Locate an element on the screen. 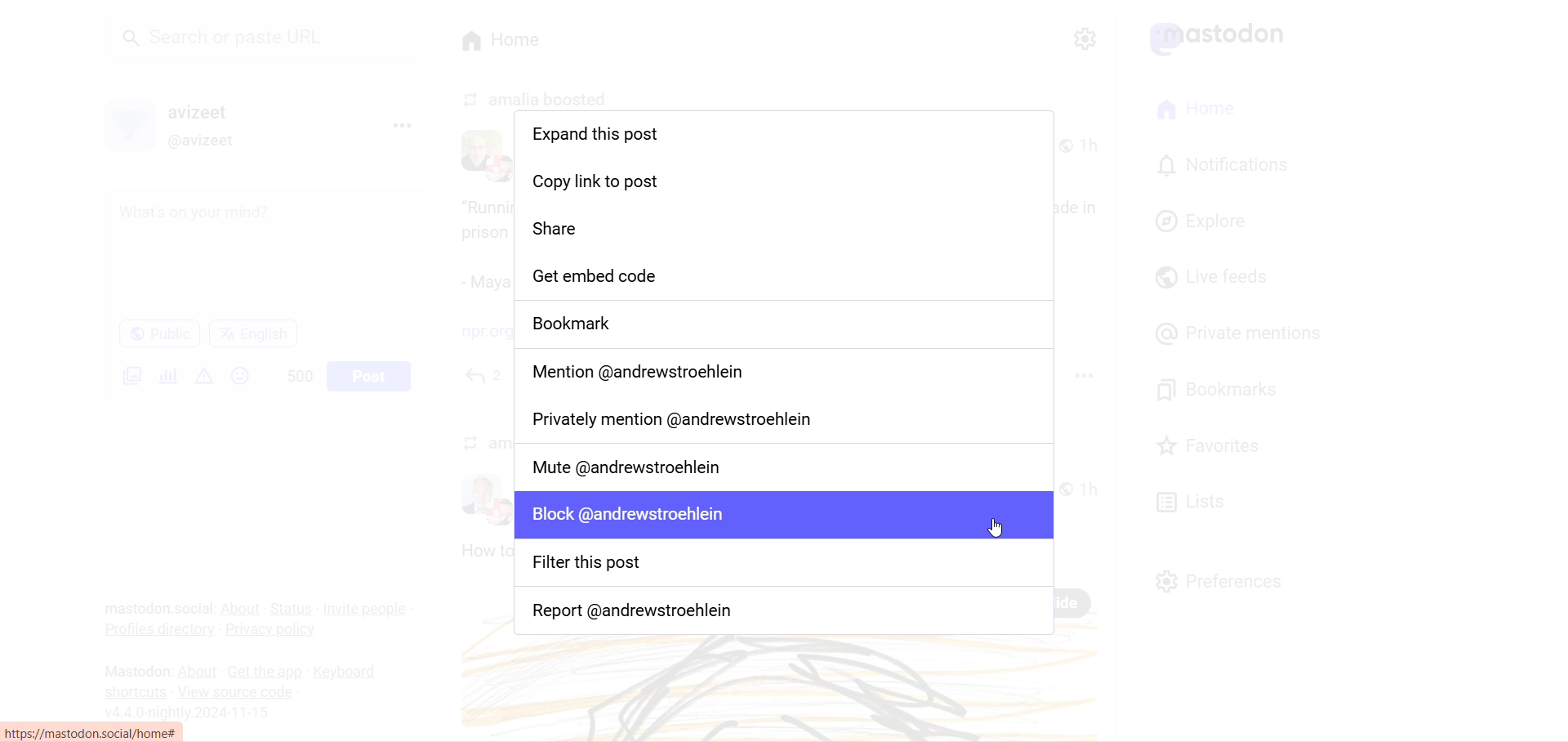 Image resolution: width=1568 pixels, height=742 pixels. Privately Mention is located at coordinates (787, 421).